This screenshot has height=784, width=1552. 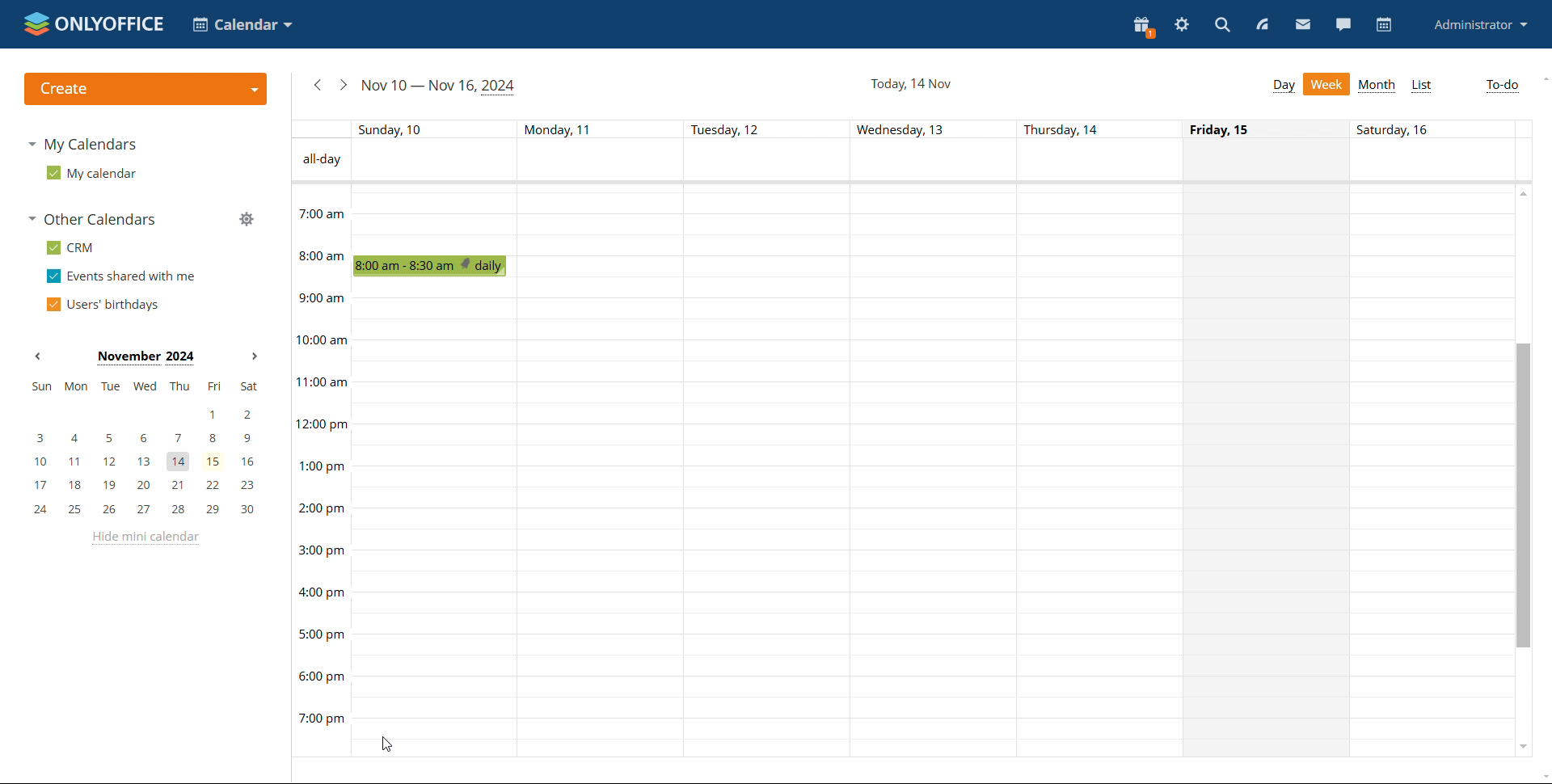 What do you see at coordinates (1482, 24) in the screenshot?
I see `profile` at bounding box center [1482, 24].